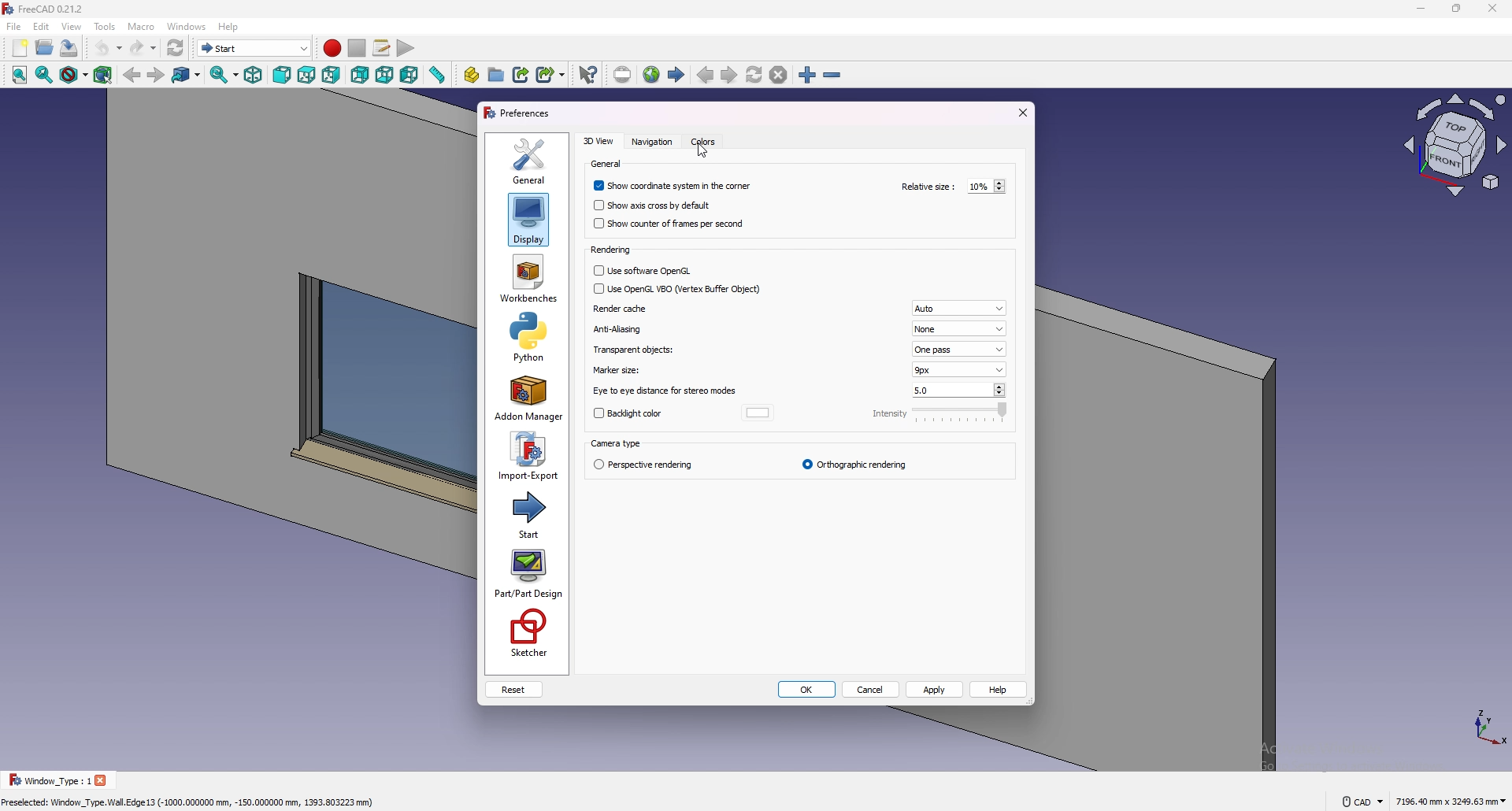 Image resolution: width=1512 pixels, height=811 pixels. I want to click on redo, so click(143, 48).